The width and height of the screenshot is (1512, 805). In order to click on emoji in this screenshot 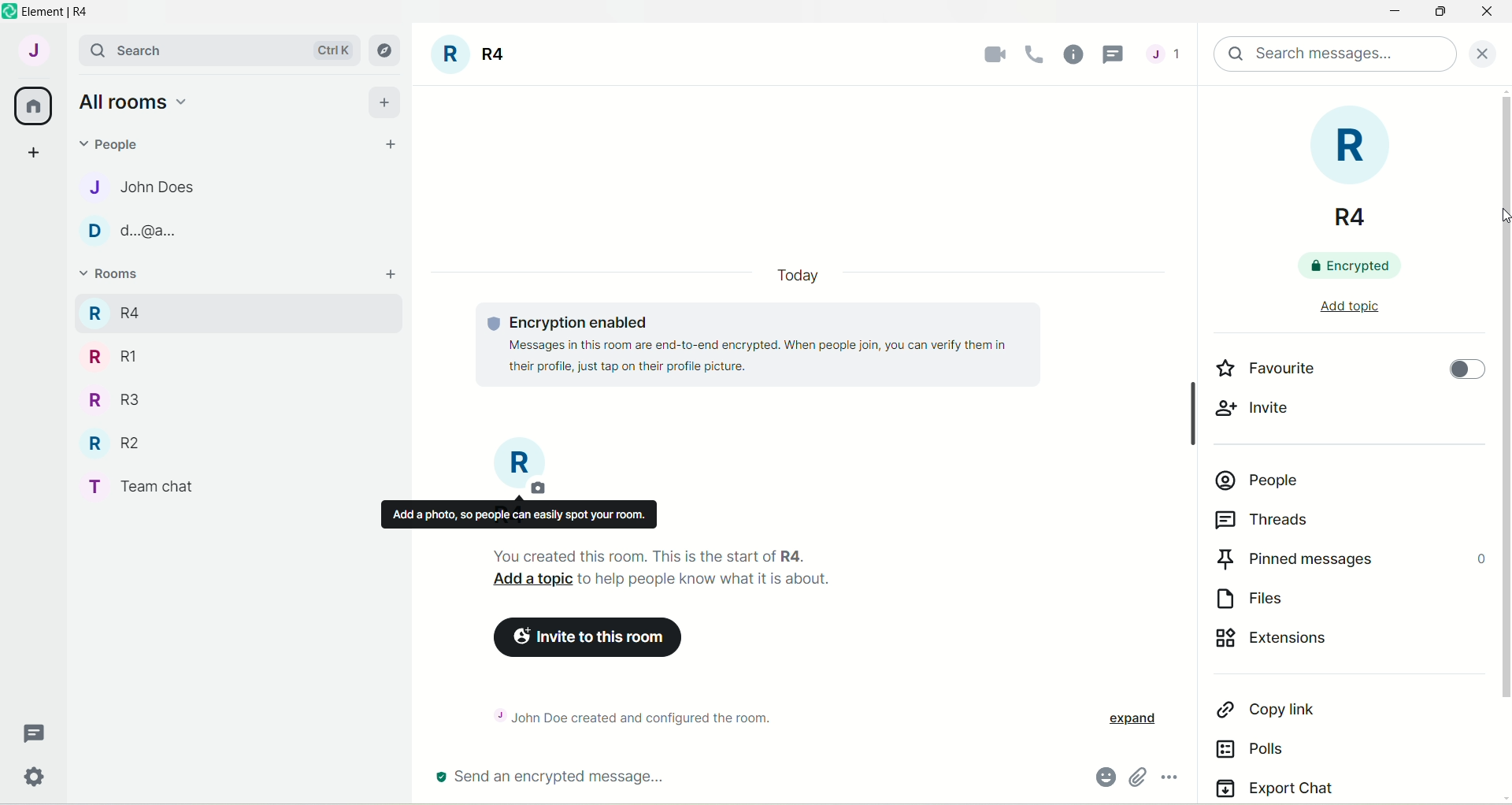, I will do `click(1102, 779)`.